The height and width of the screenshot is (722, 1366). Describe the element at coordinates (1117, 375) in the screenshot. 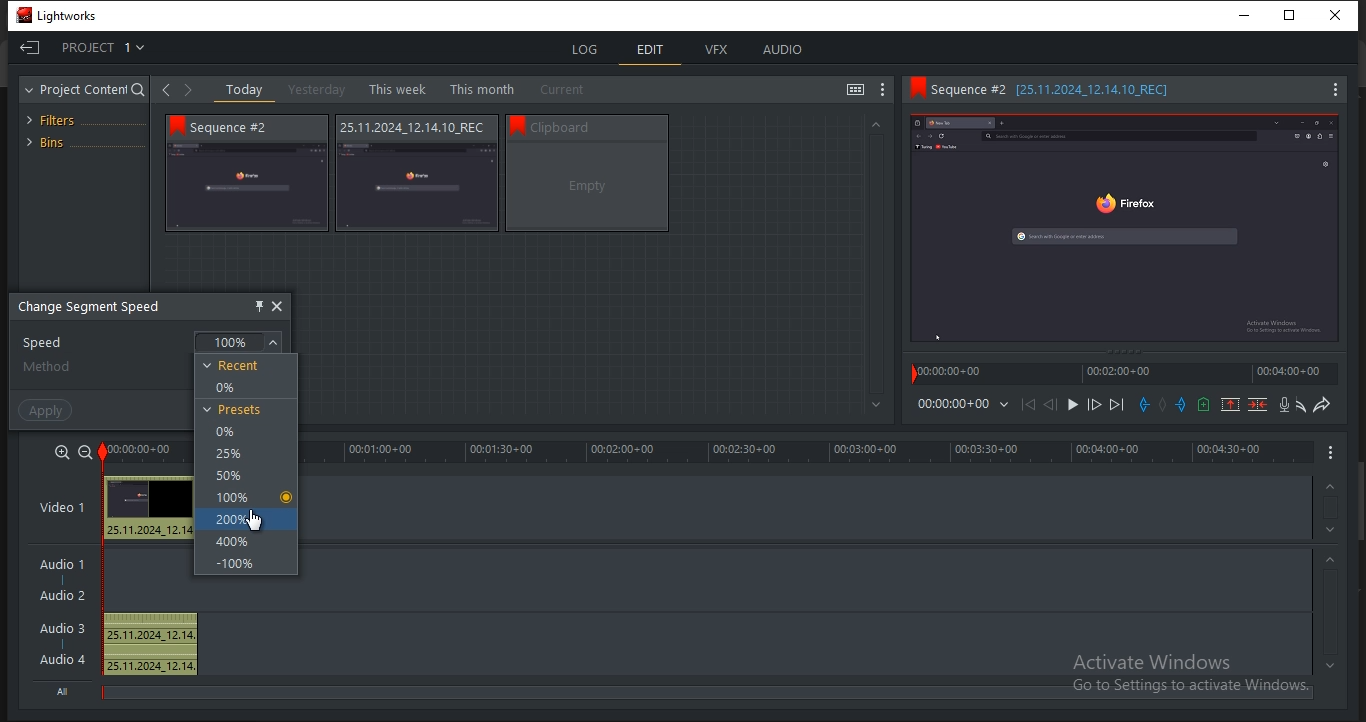

I see `time stamp` at that location.